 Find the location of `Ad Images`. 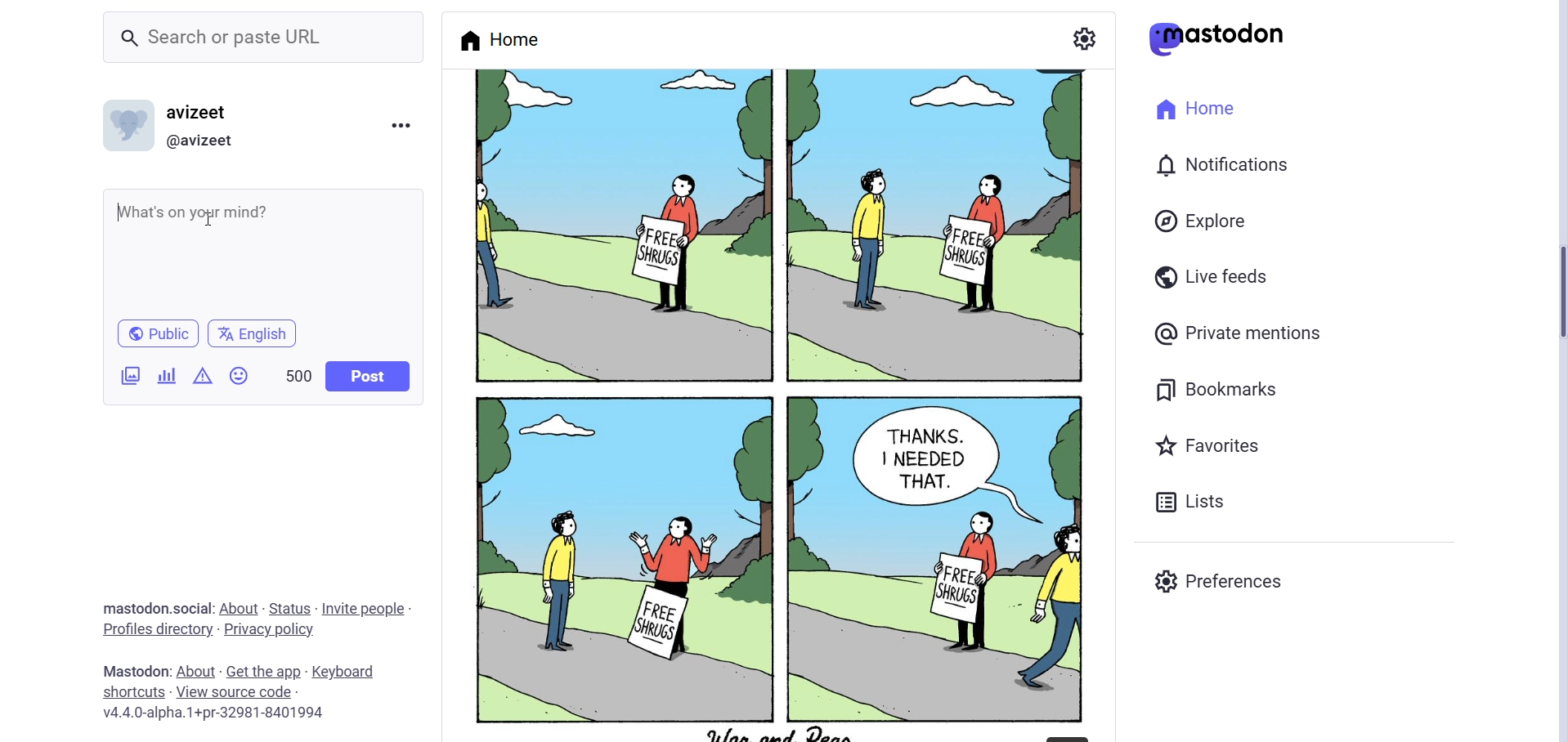

Ad Images is located at coordinates (132, 376).